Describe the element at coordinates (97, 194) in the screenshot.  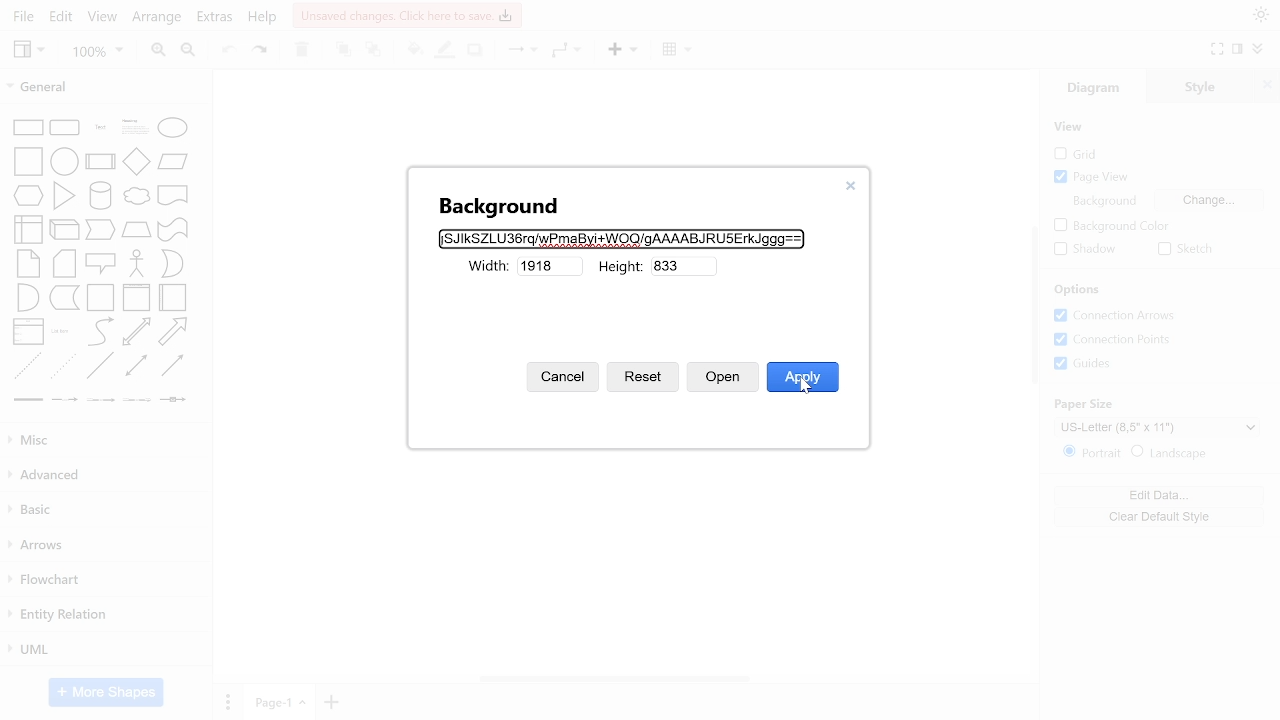
I see `general shapes` at that location.